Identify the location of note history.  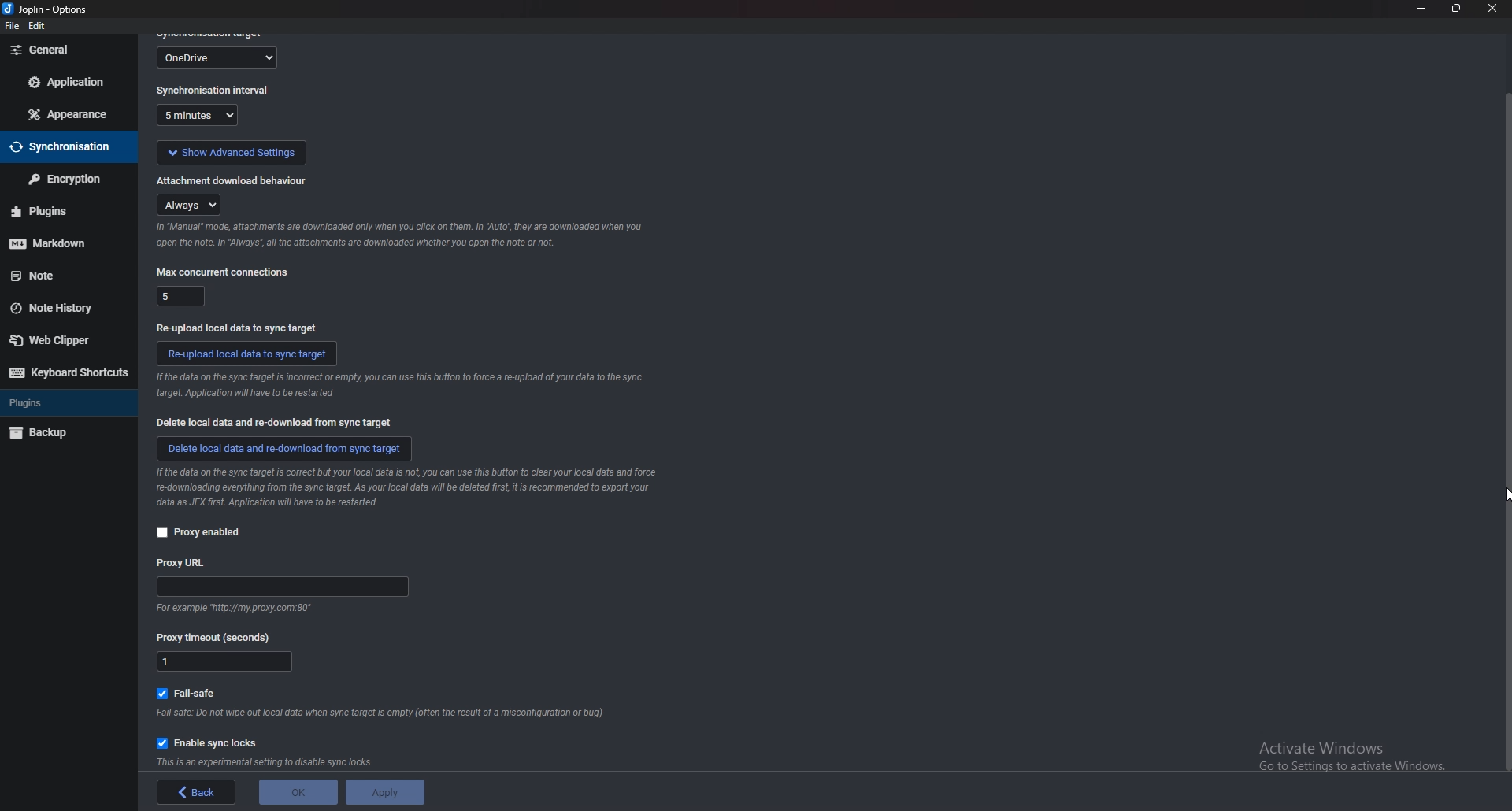
(60, 308).